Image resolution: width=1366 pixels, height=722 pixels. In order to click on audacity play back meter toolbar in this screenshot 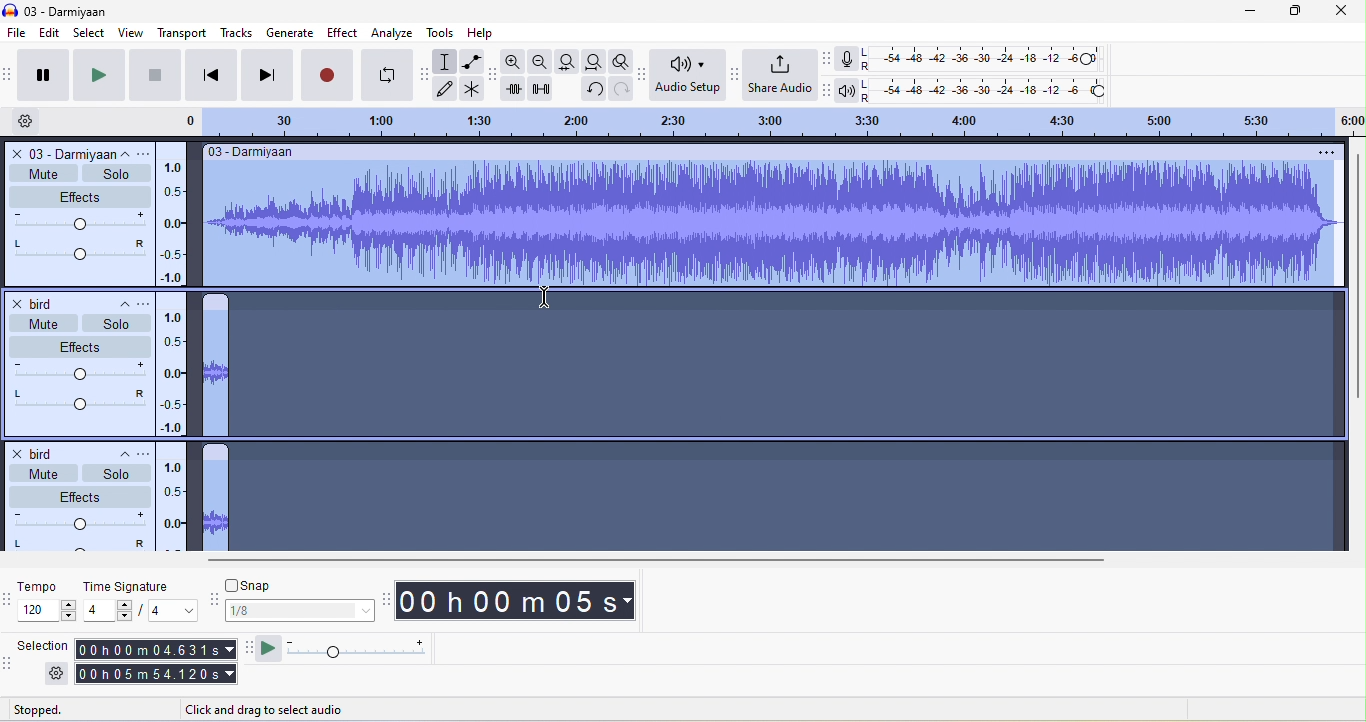, I will do `click(832, 90)`.